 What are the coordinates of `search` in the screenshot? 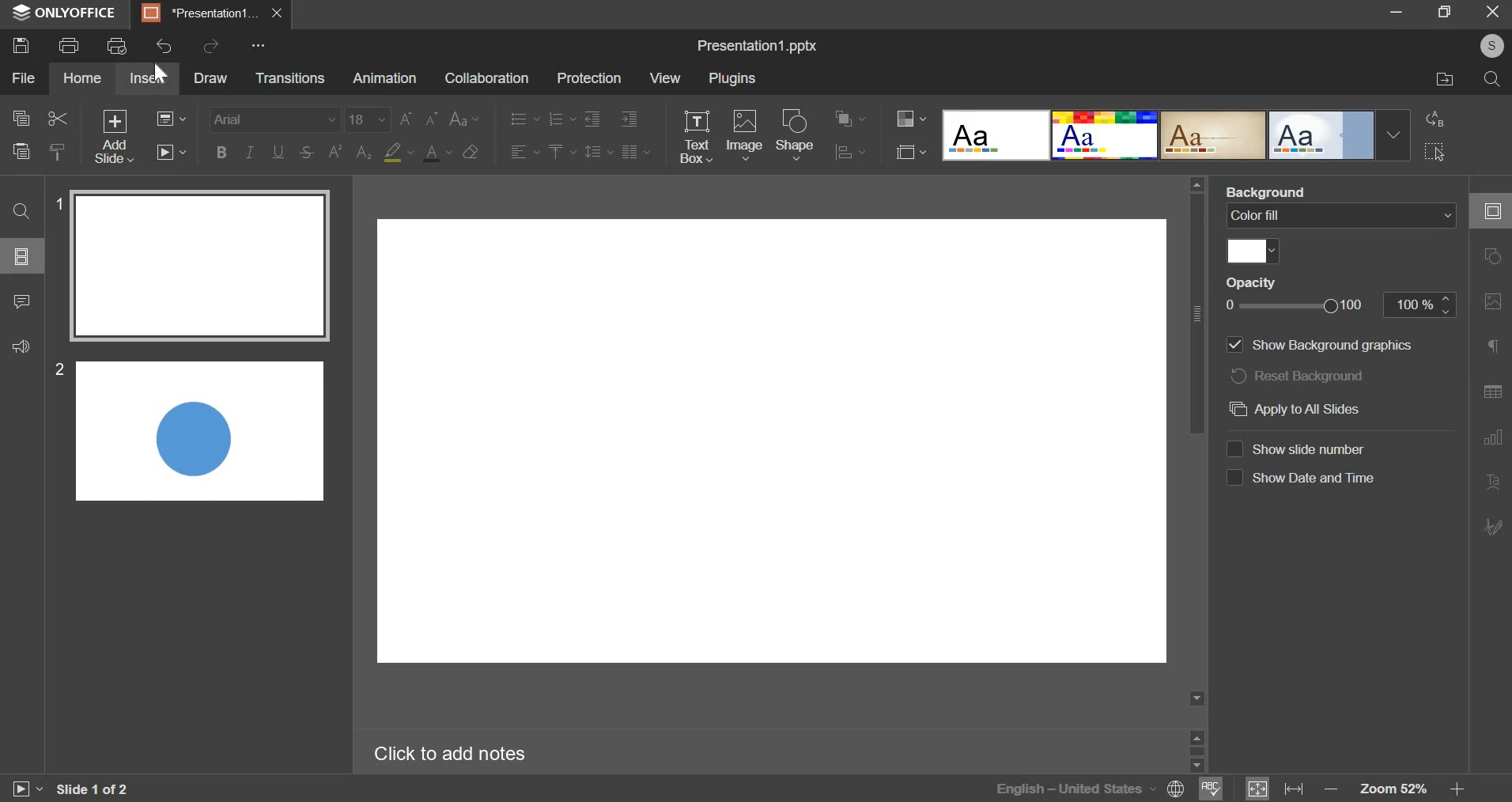 It's located at (1494, 81).